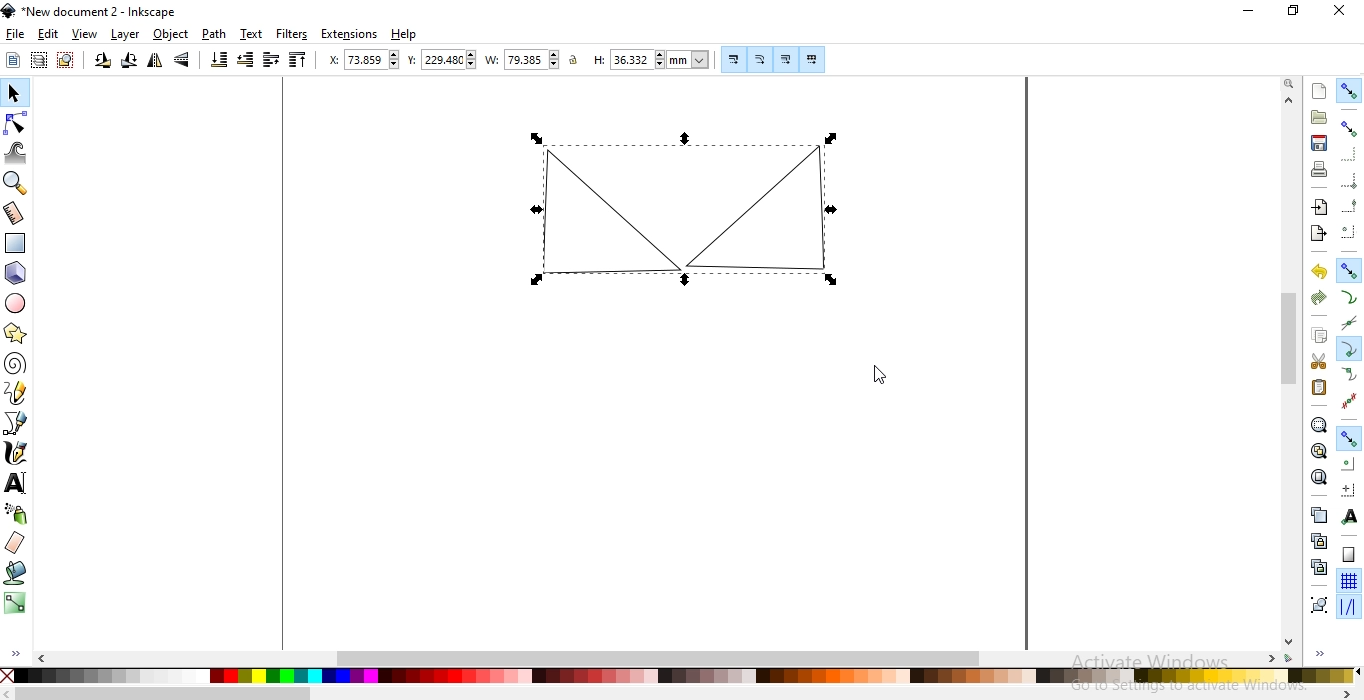  I want to click on unlock, so click(578, 62).